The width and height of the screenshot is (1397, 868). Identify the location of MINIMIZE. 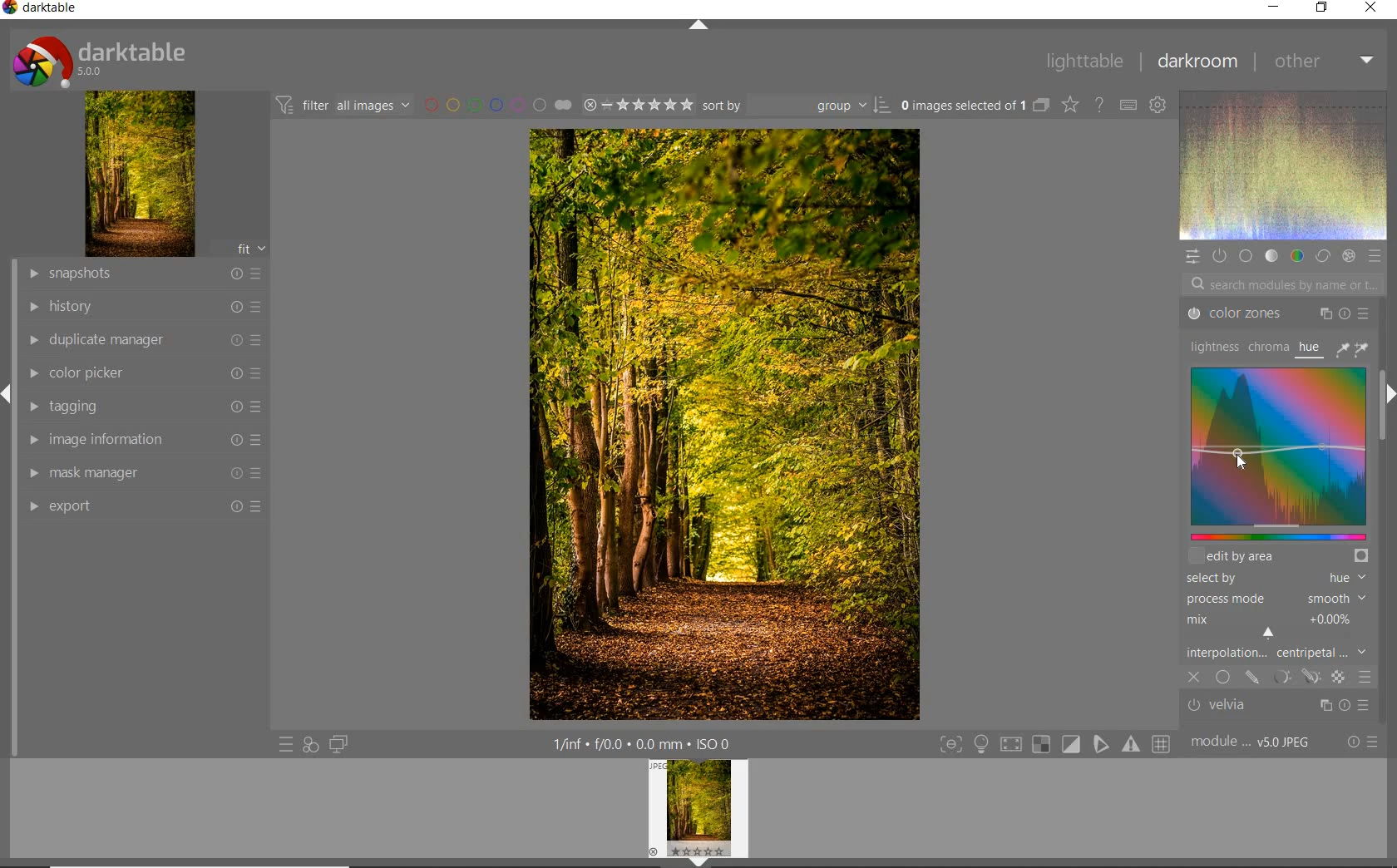
(1275, 7).